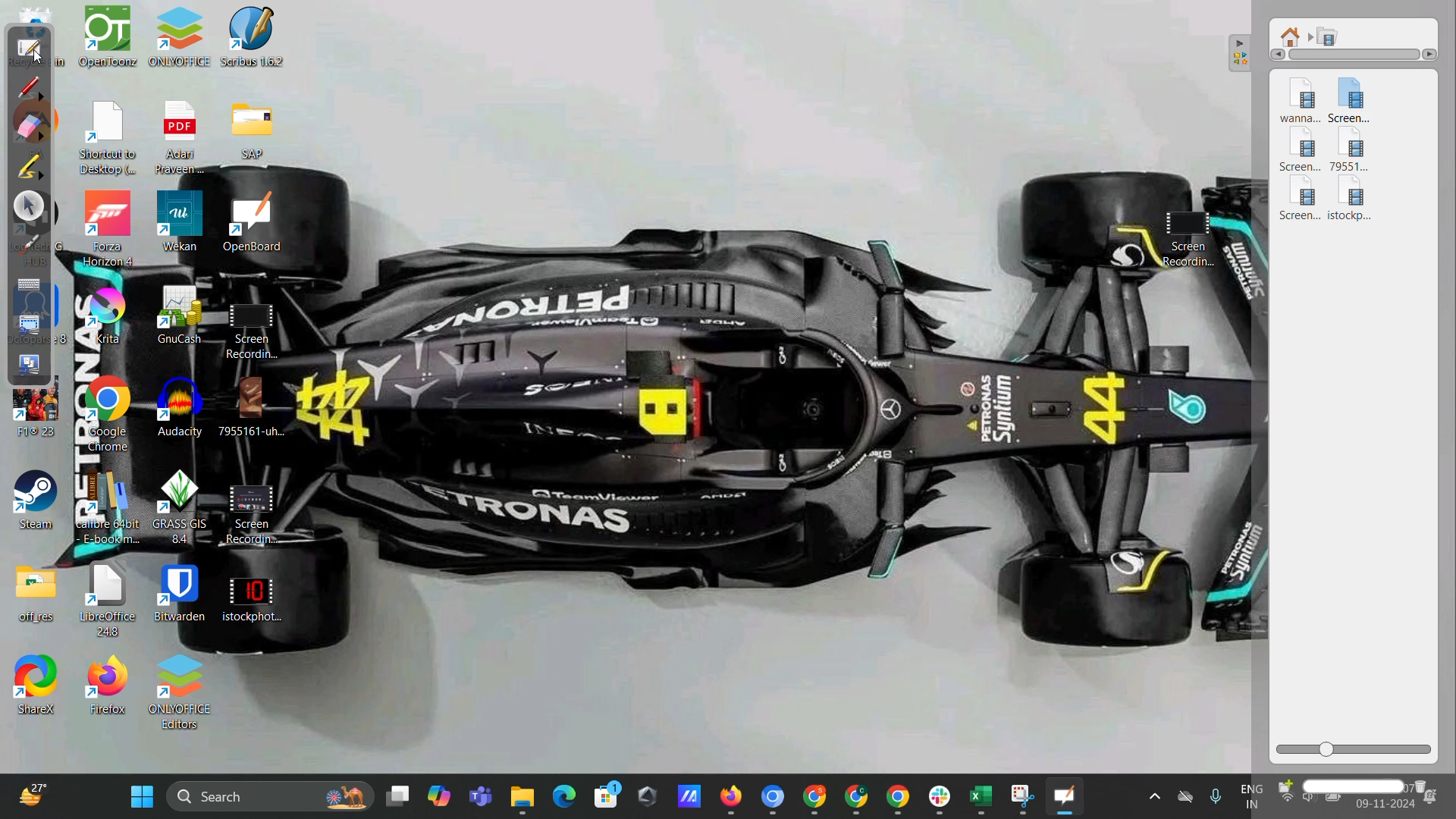  What do you see at coordinates (254, 406) in the screenshot?
I see `7955161-uh` at bounding box center [254, 406].